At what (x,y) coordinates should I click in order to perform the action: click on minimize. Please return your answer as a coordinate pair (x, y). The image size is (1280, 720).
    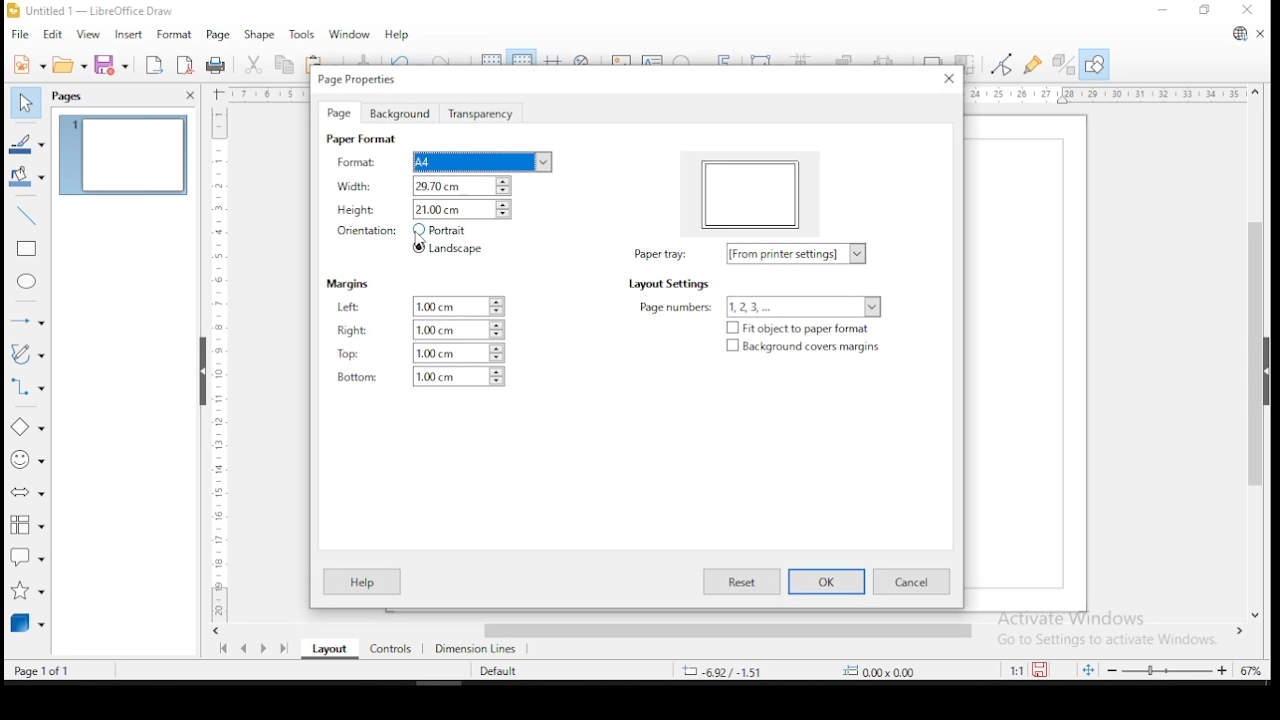
    Looking at the image, I should click on (1163, 10).